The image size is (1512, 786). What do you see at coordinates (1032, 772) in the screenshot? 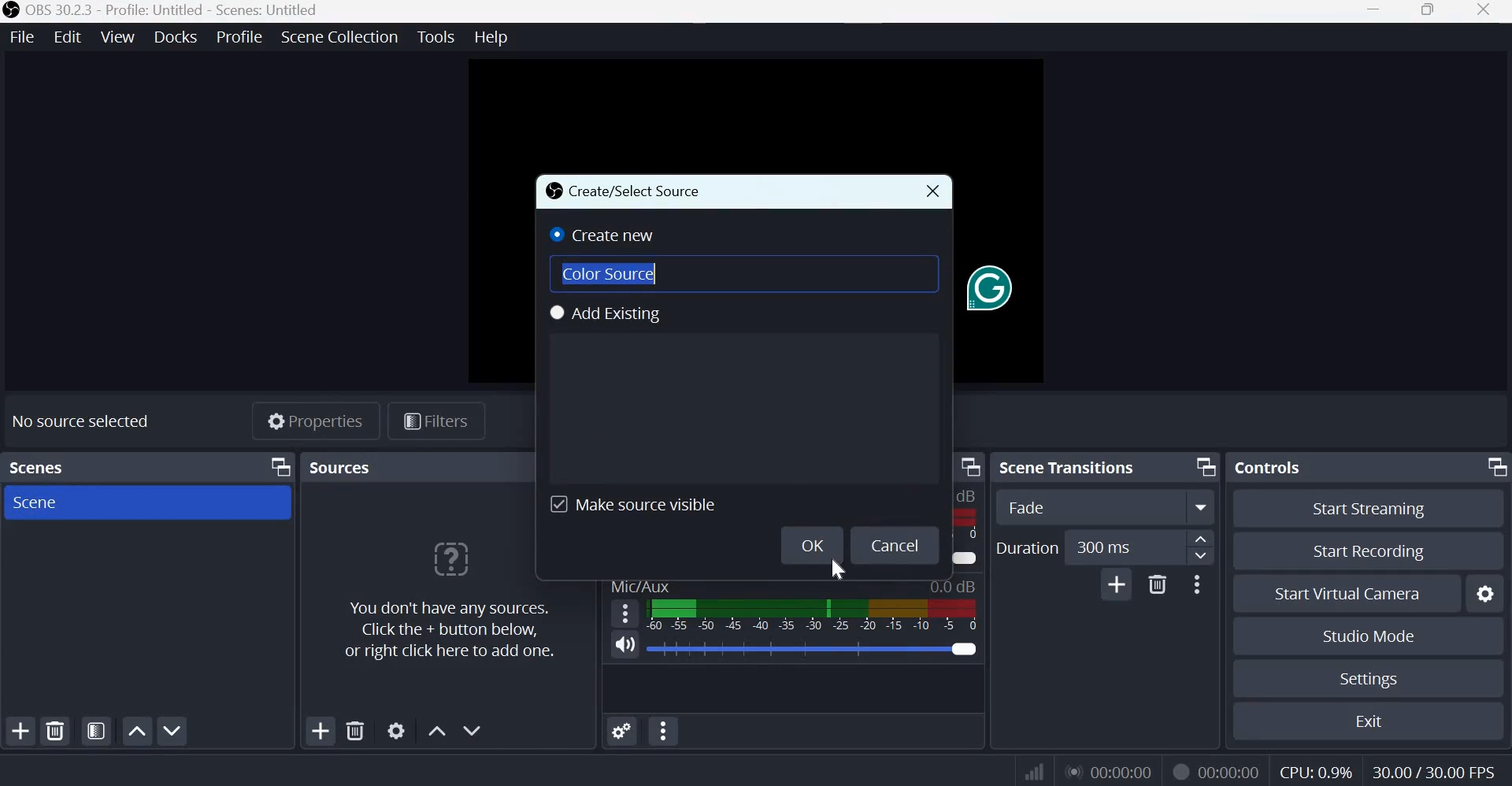
I see `Connection Status Indicator` at bounding box center [1032, 772].